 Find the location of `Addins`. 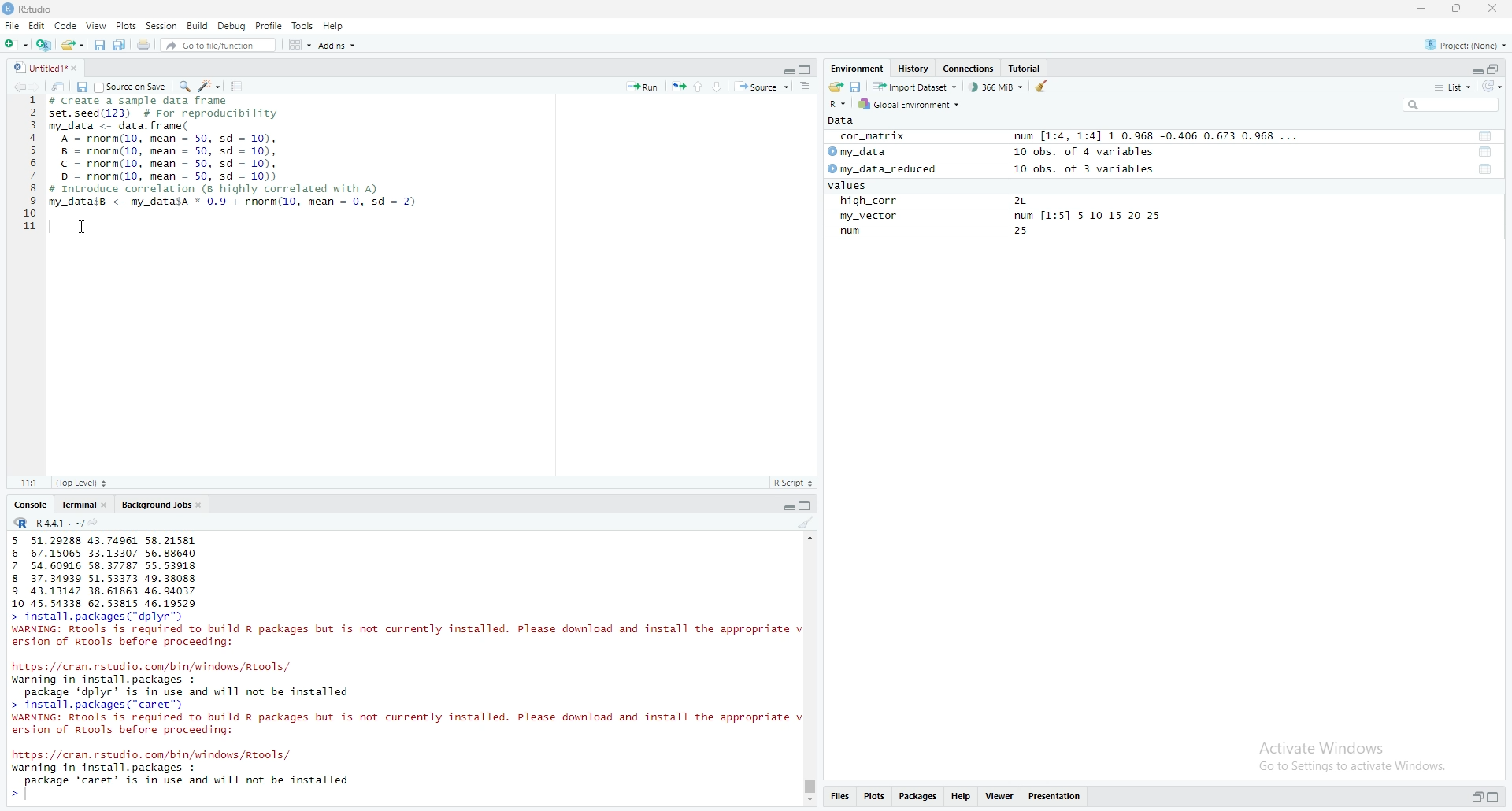

Addins is located at coordinates (339, 46).